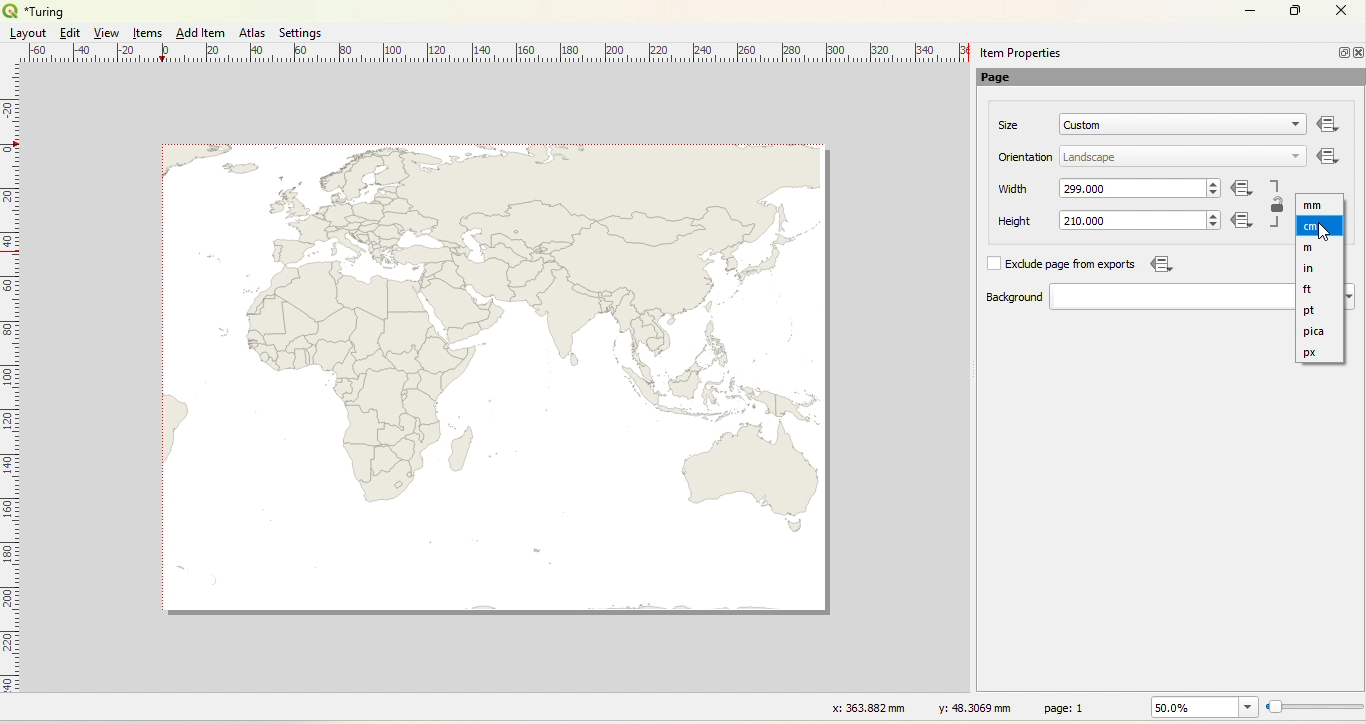 Image resolution: width=1366 pixels, height=724 pixels. Describe the element at coordinates (1309, 353) in the screenshot. I see `px` at that location.